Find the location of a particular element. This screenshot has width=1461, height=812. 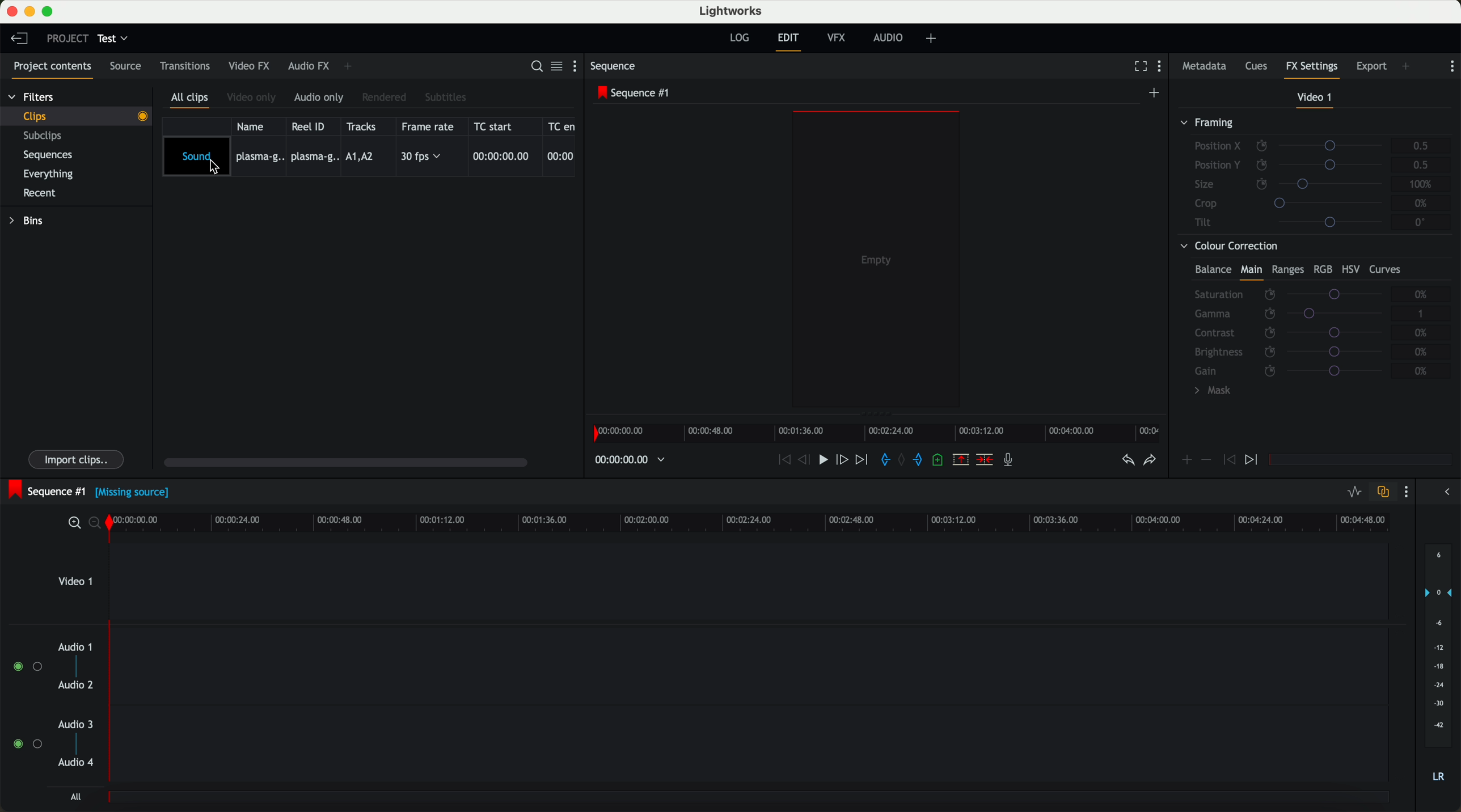

sequence #1 is located at coordinates (47, 489).